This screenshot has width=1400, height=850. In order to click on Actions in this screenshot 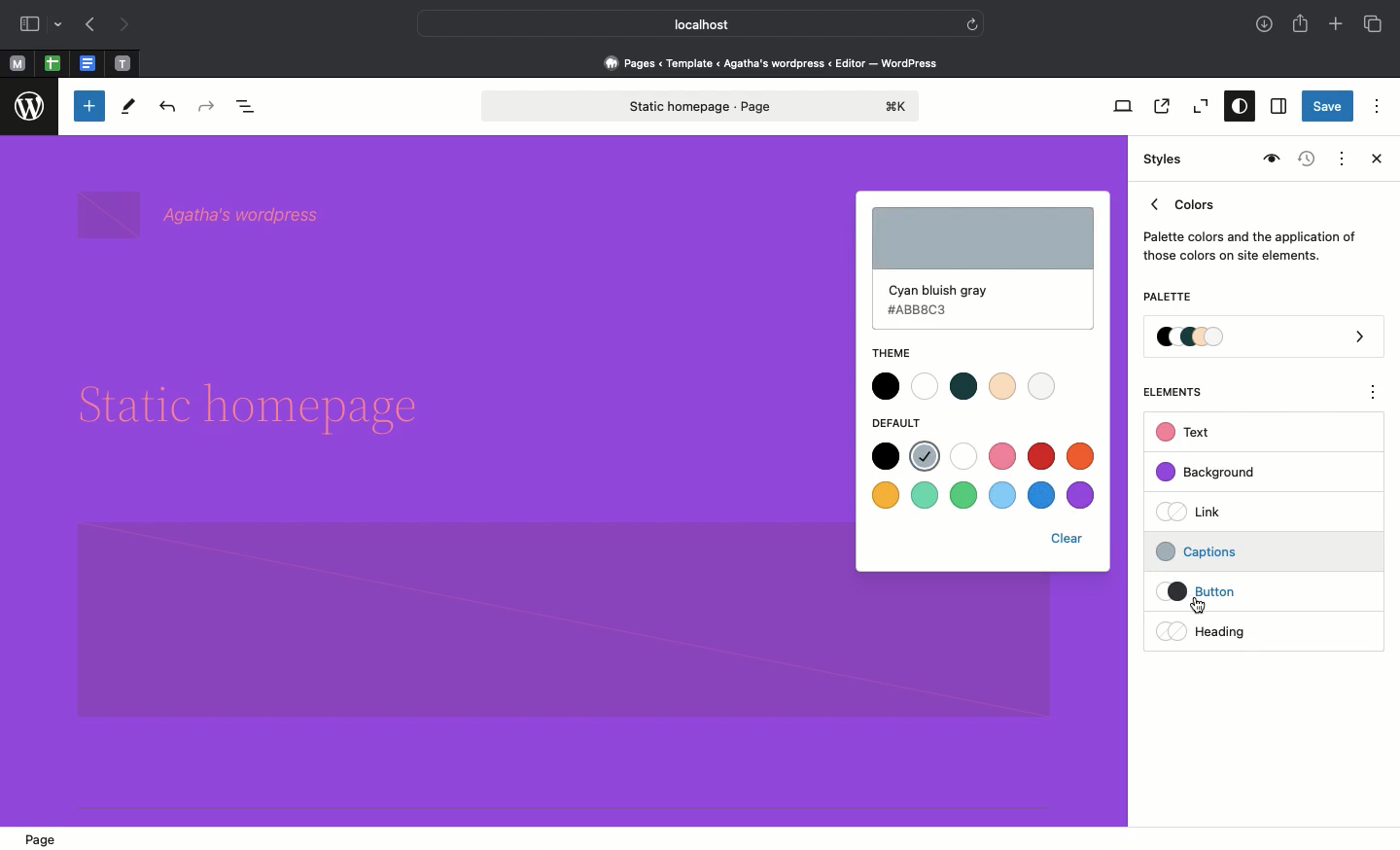, I will do `click(1340, 157)`.